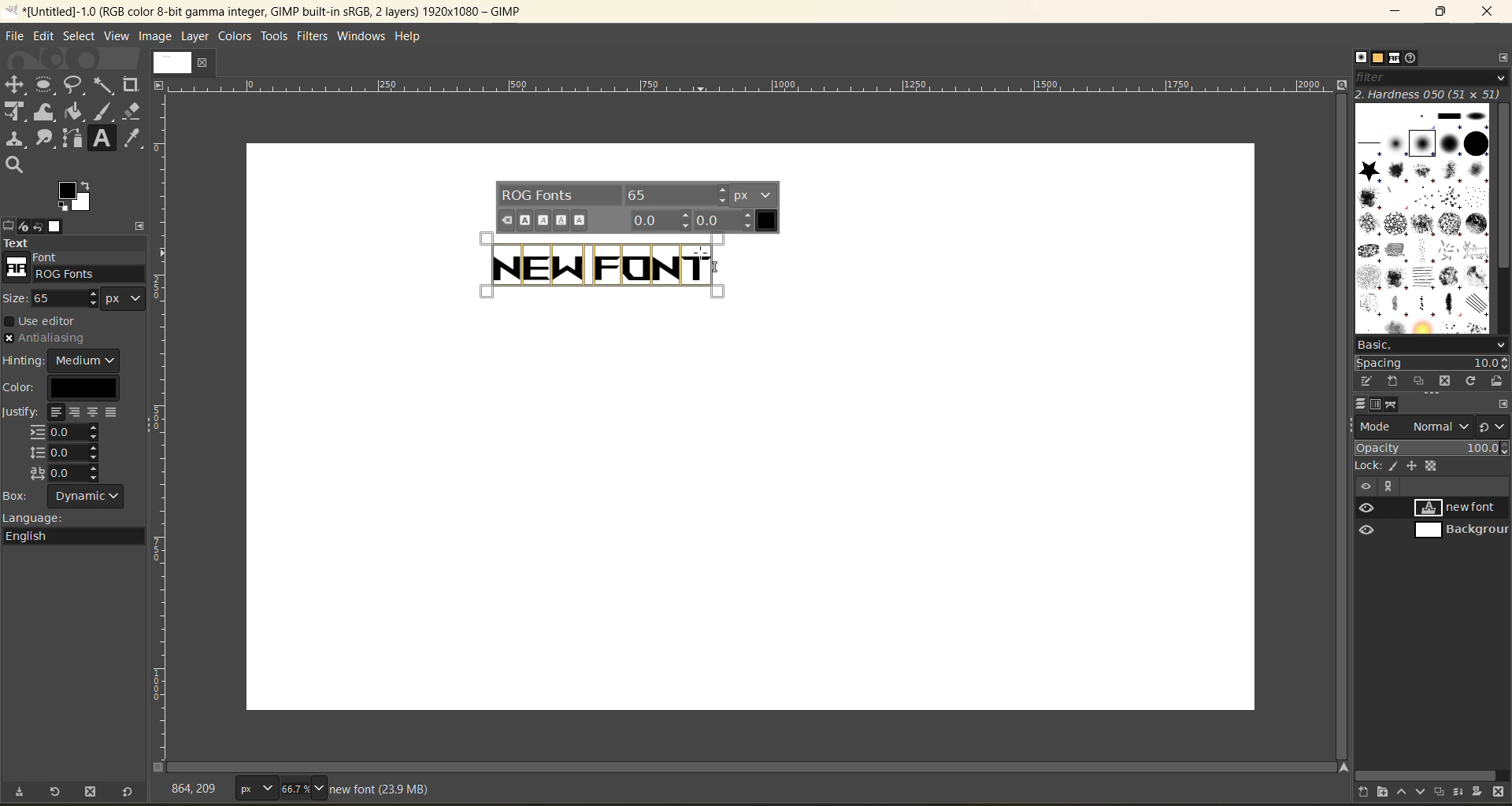  What do you see at coordinates (1365, 486) in the screenshot?
I see `hide` at bounding box center [1365, 486].